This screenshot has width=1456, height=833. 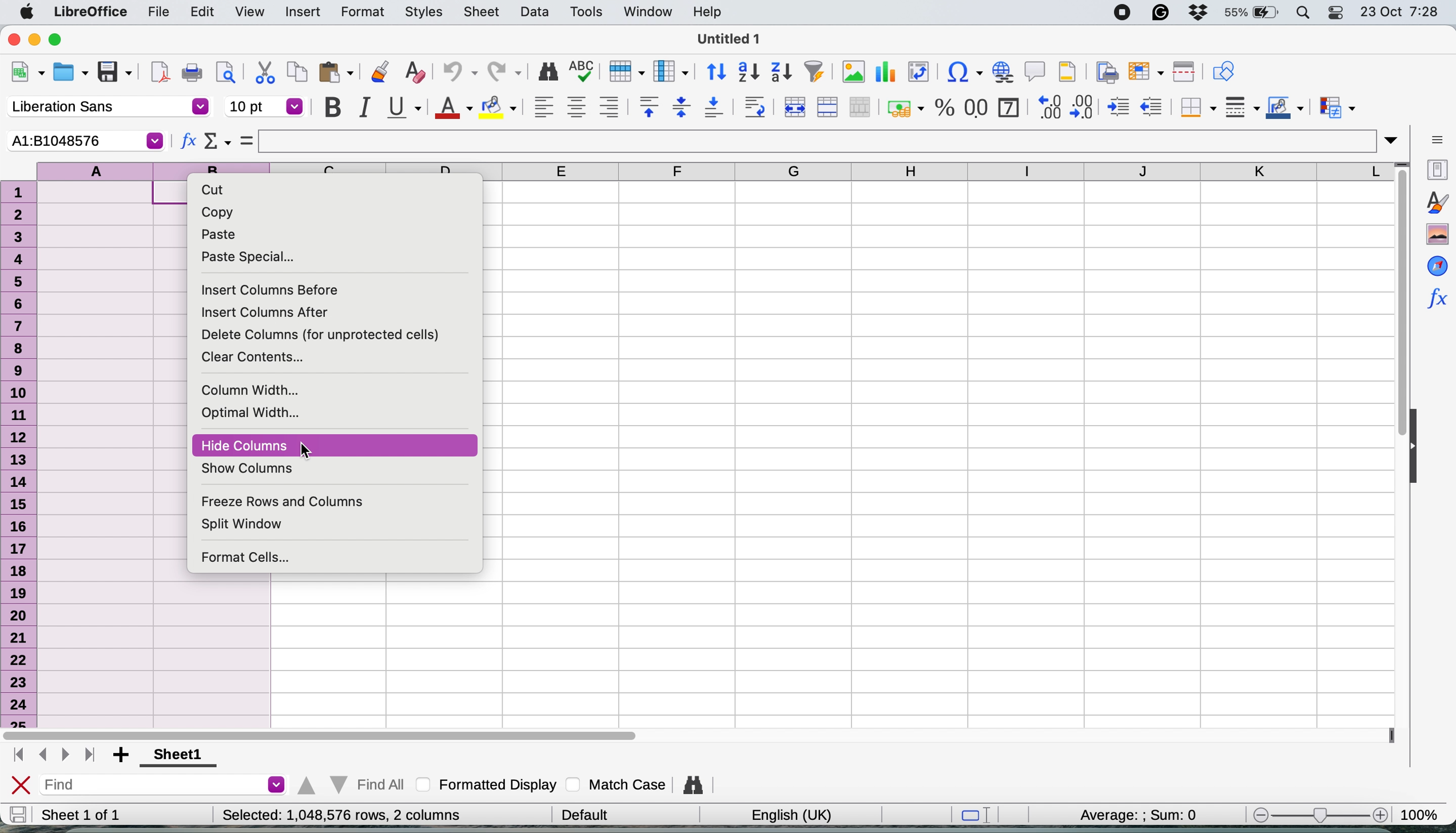 I want to click on window, so click(x=647, y=11).